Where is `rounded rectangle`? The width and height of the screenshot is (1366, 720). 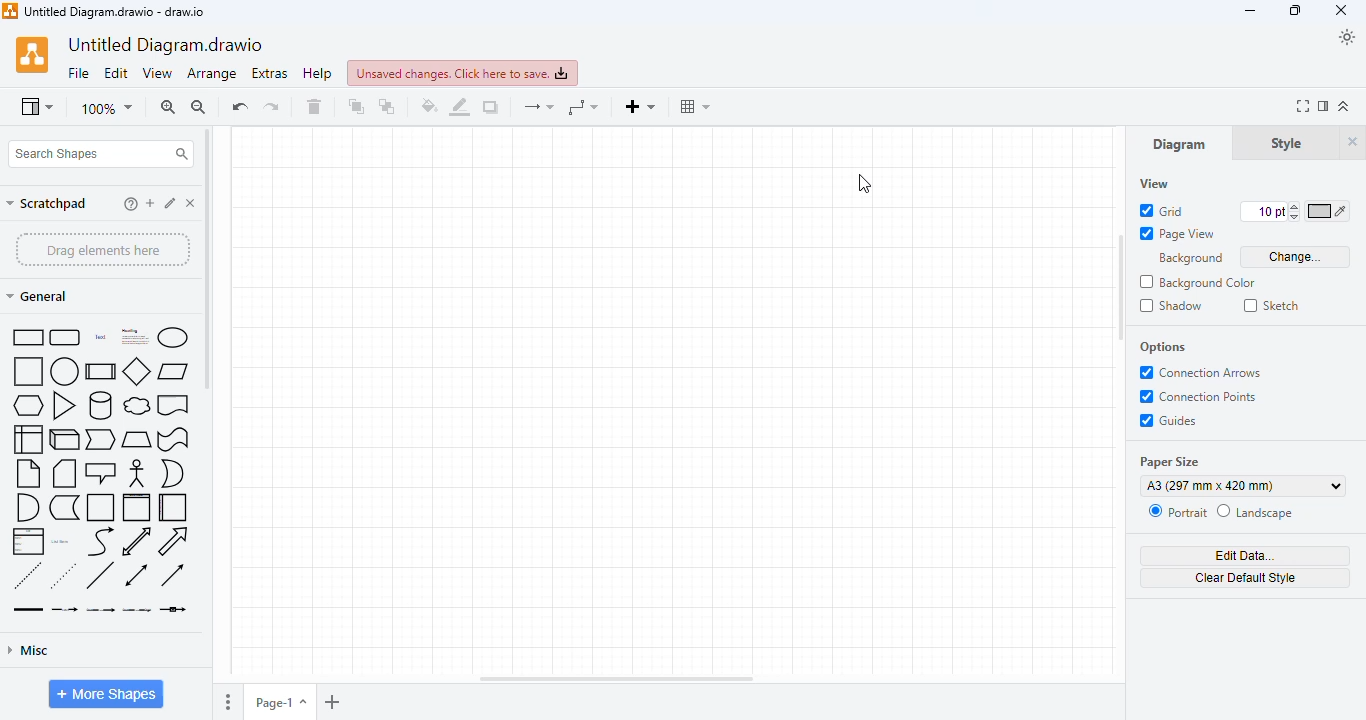 rounded rectangle is located at coordinates (66, 338).